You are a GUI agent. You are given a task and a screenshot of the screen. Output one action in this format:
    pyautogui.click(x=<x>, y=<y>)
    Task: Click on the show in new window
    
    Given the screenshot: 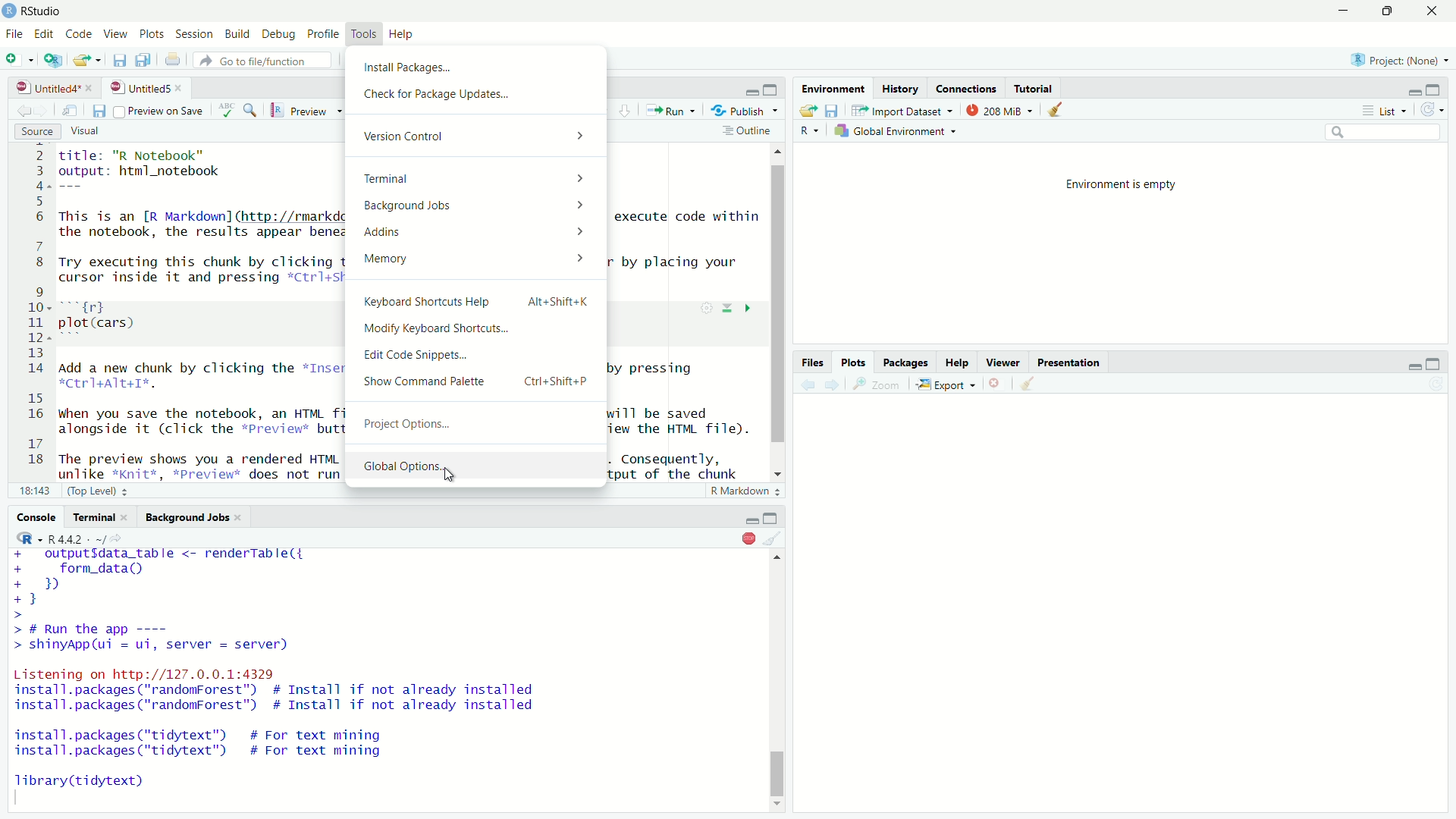 What is the action you would take?
    pyautogui.click(x=70, y=111)
    